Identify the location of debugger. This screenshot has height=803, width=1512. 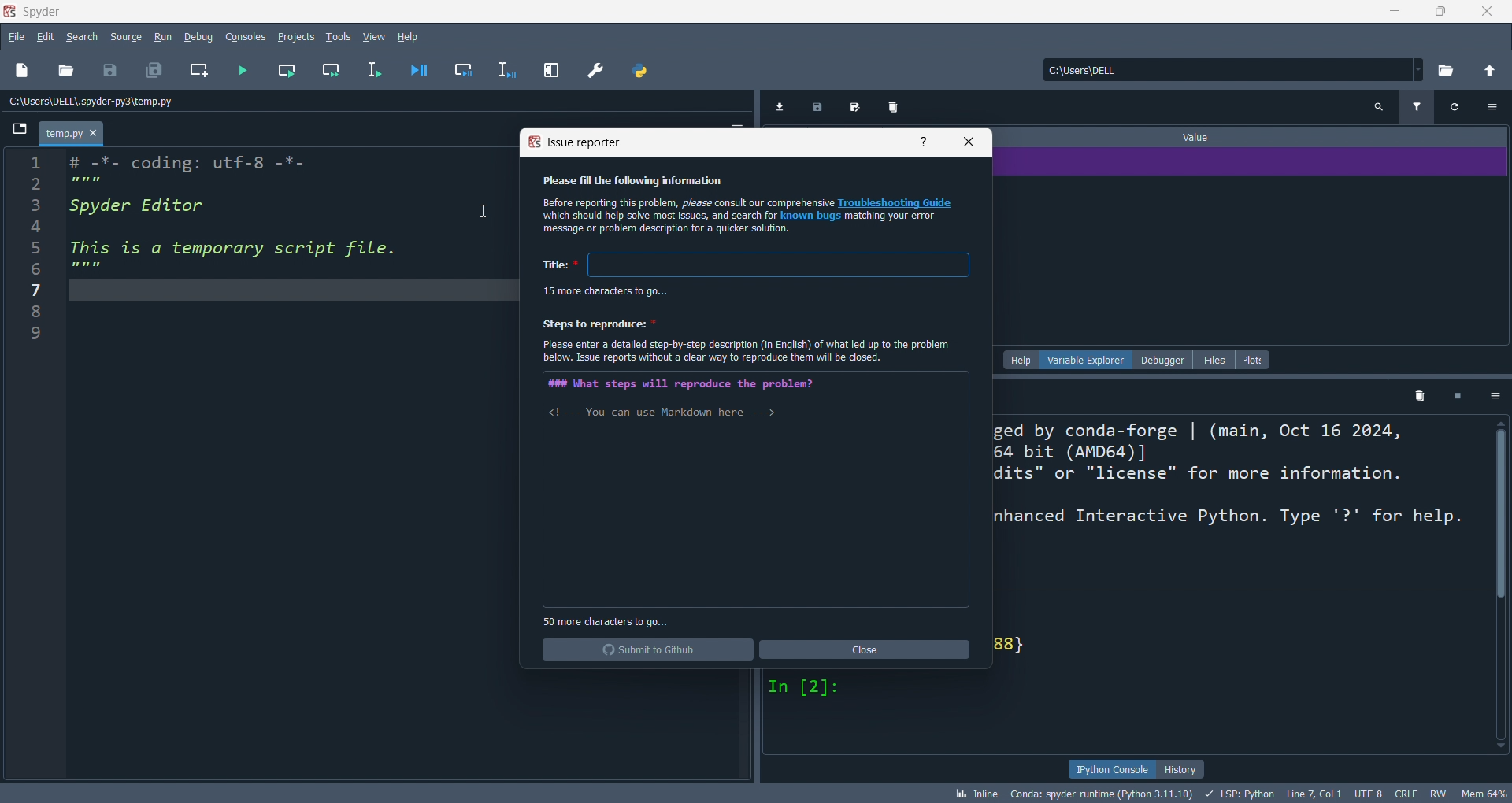
(1165, 360).